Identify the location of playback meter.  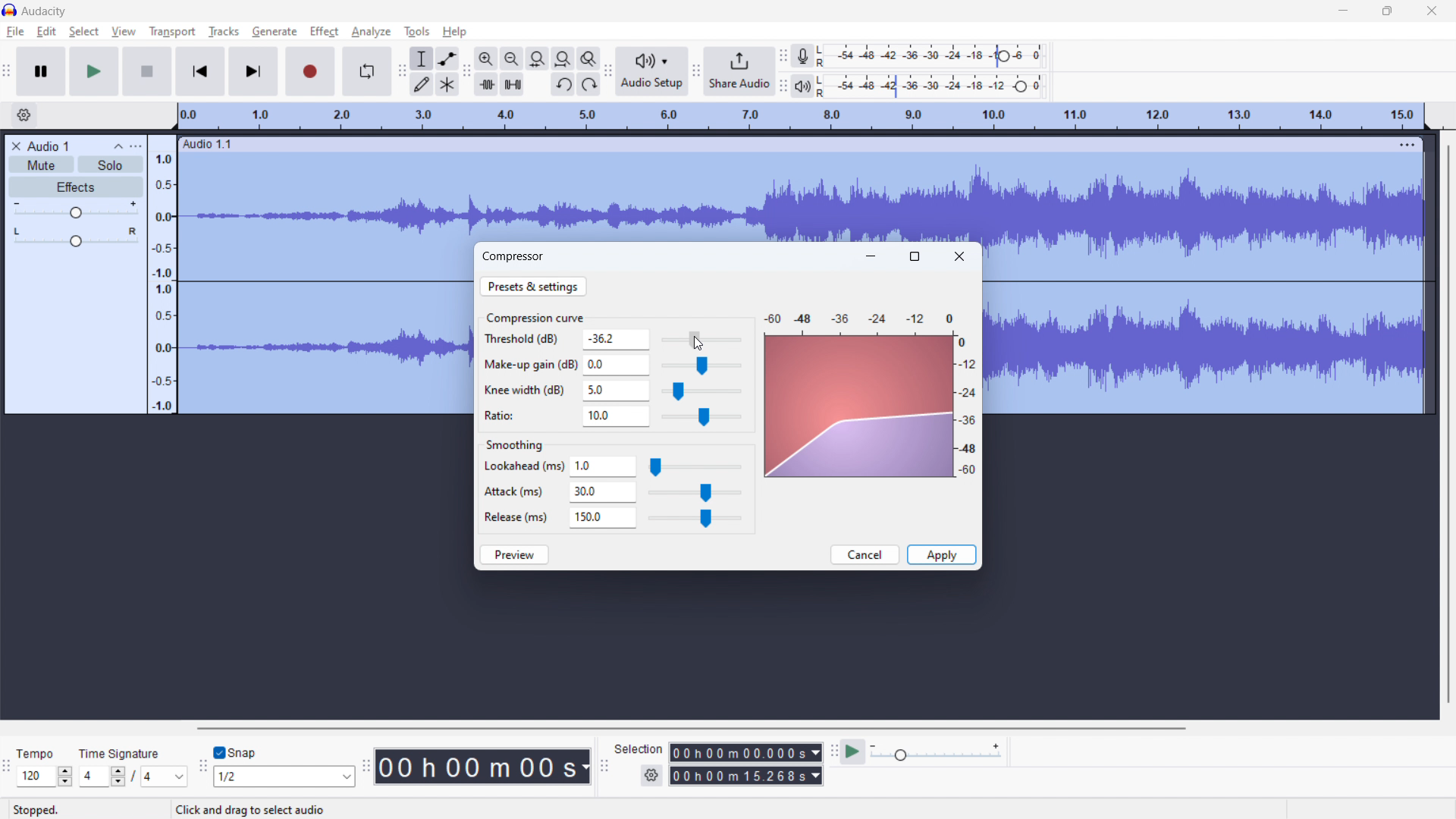
(809, 86).